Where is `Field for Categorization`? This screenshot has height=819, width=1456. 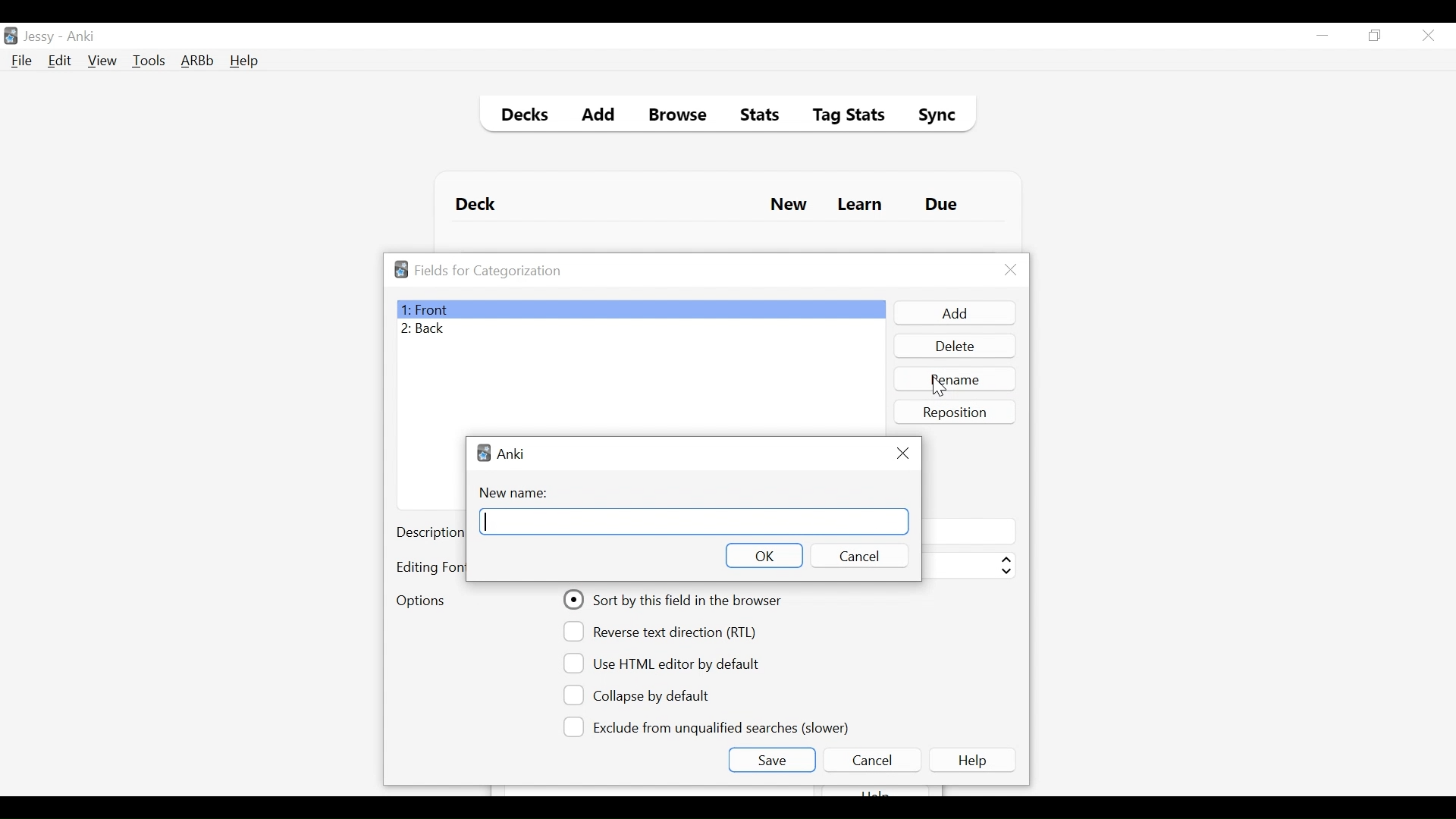
Field for Categorization is located at coordinates (488, 271).